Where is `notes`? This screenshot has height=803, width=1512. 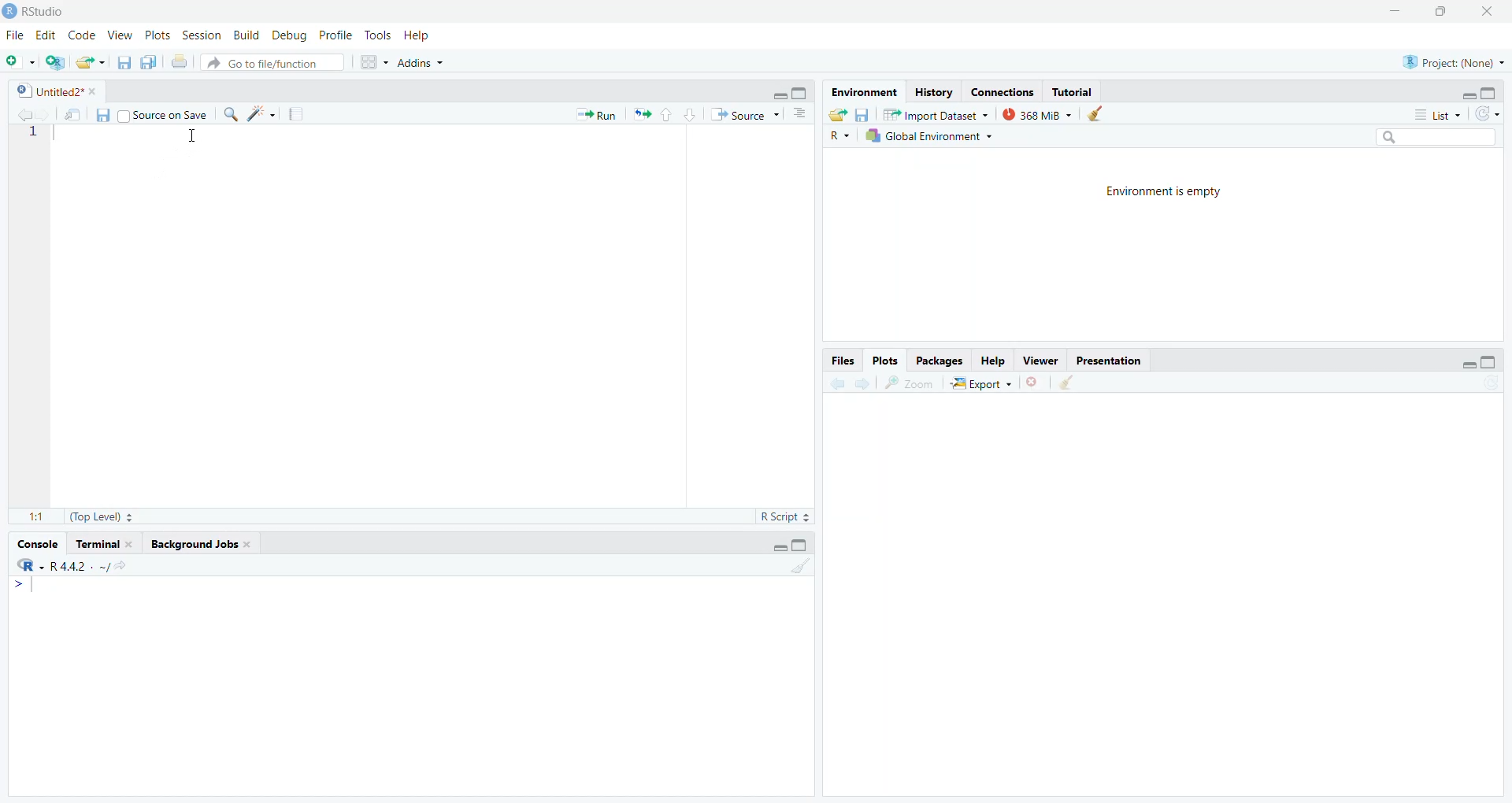 notes is located at coordinates (301, 115).